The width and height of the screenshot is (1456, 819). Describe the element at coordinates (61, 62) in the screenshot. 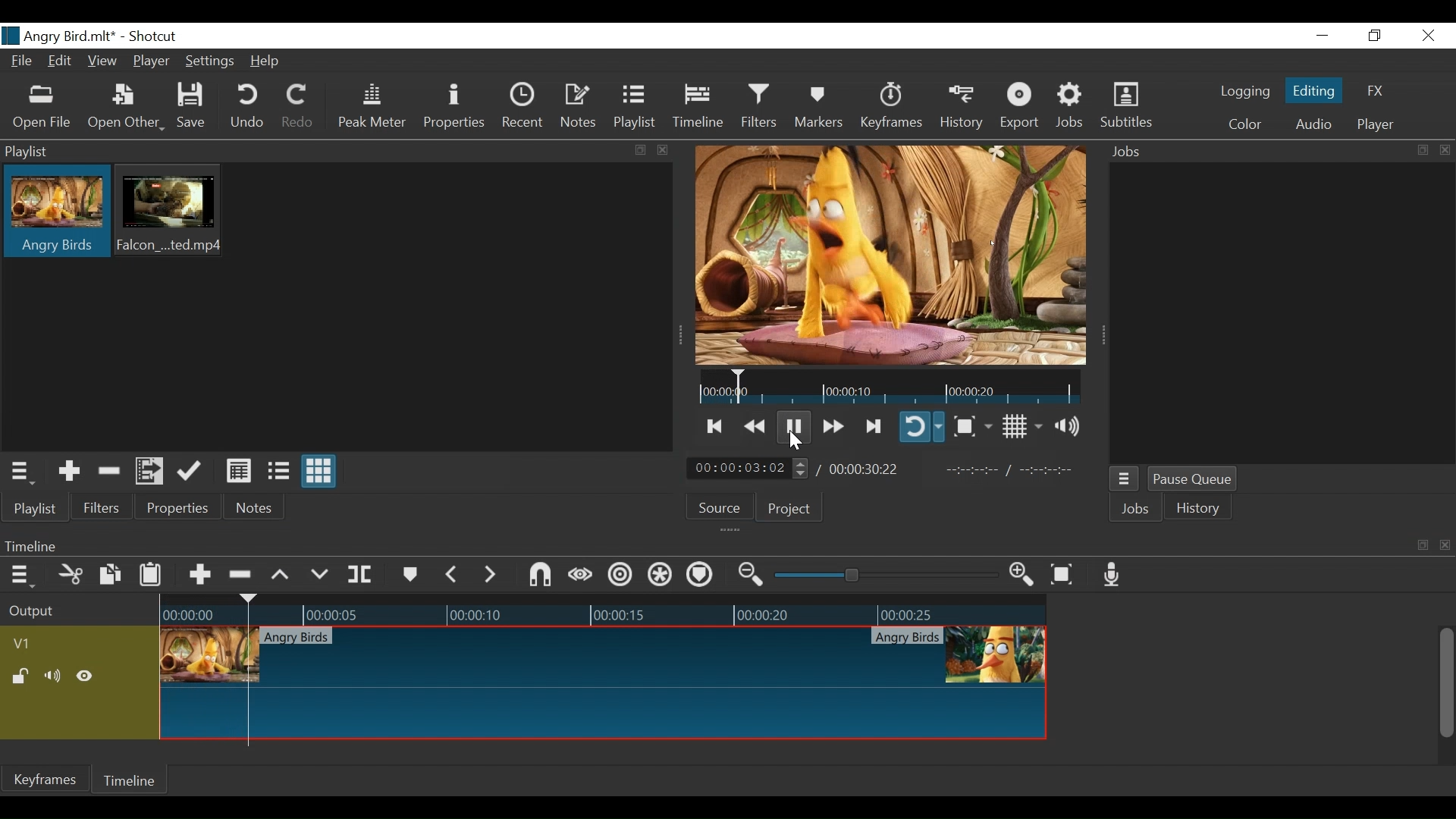

I see `Edit` at that location.